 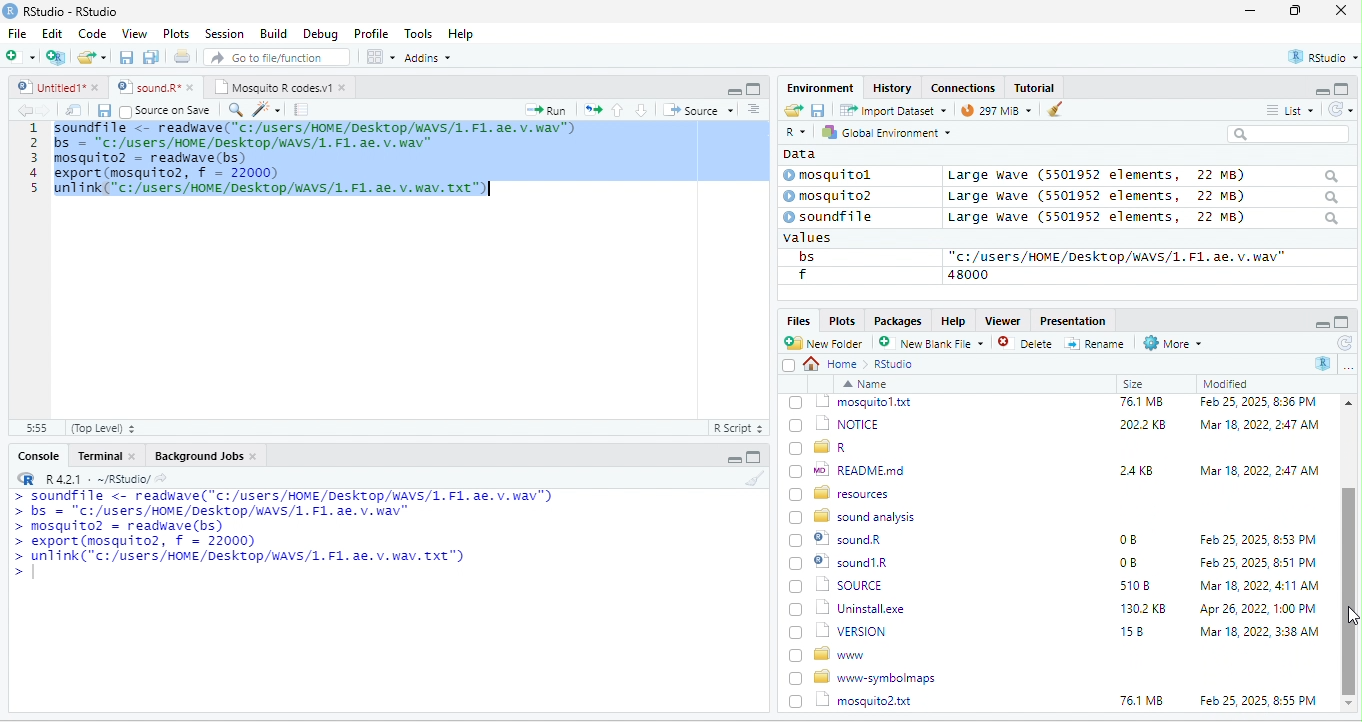 What do you see at coordinates (40, 268) in the screenshot?
I see `line number` at bounding box center [40, 268].